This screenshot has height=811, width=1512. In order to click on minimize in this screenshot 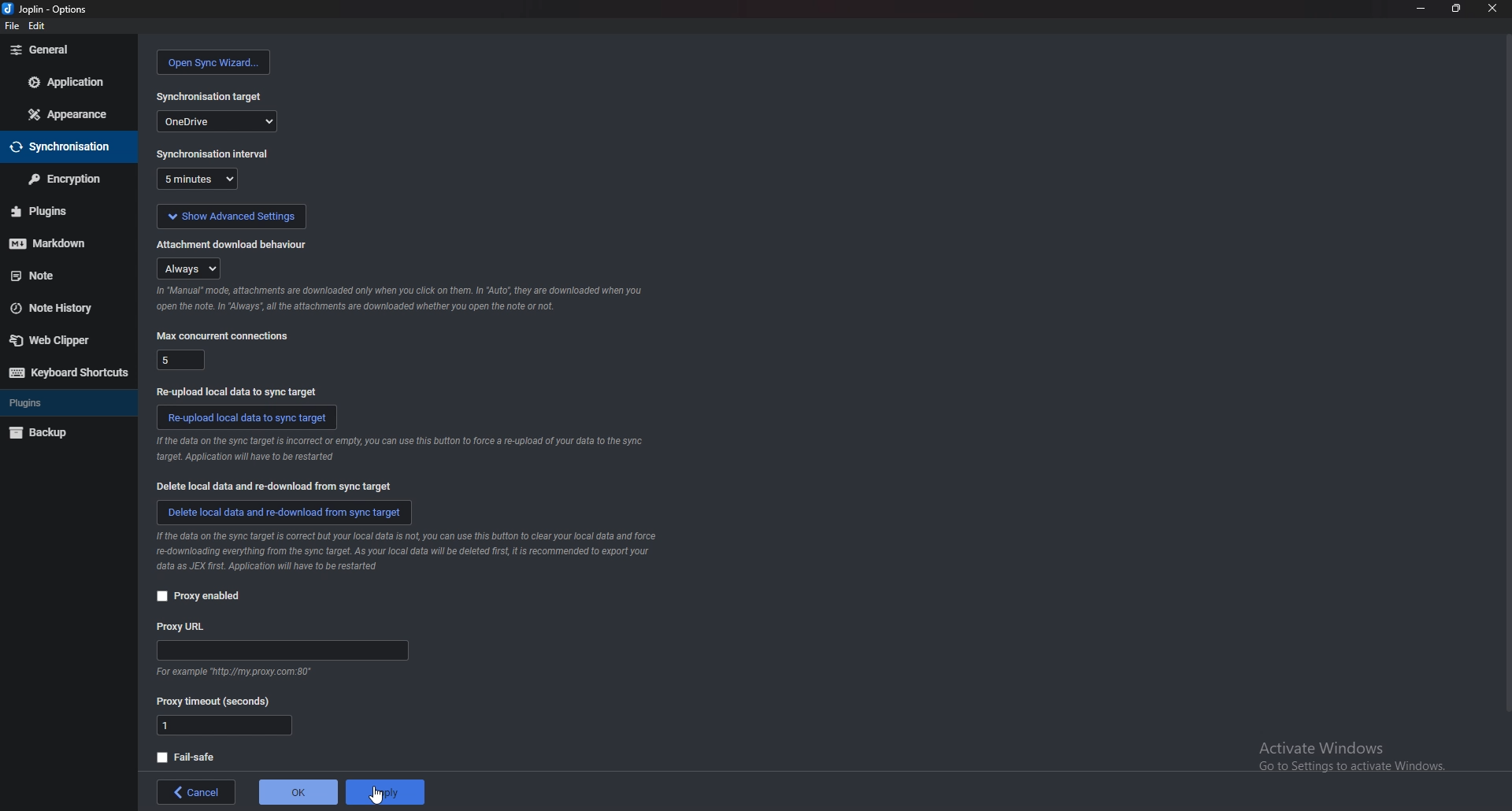, I will do `click(1421, 8)`.